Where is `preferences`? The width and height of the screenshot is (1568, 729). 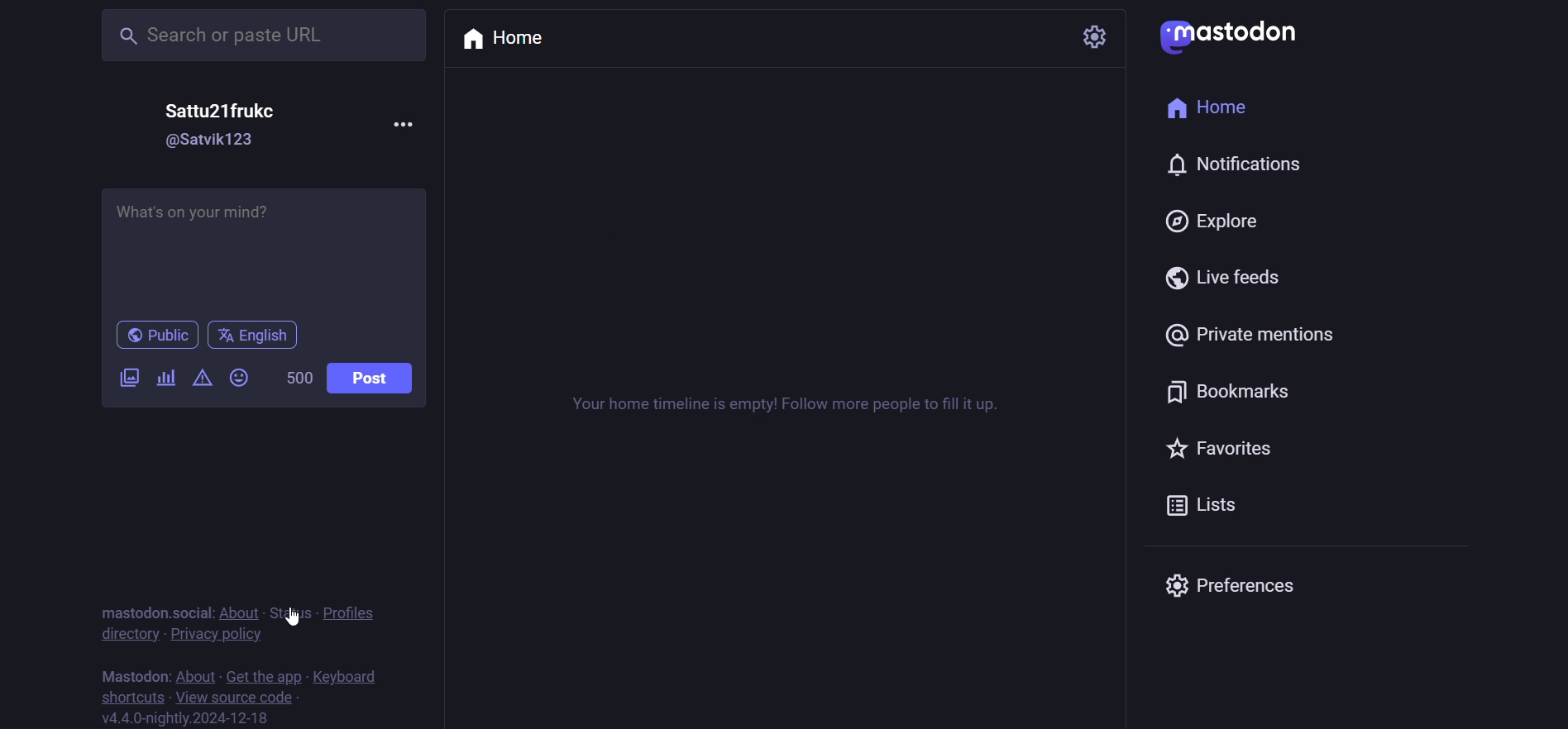
preferences is located at coordinates (1238, 584).